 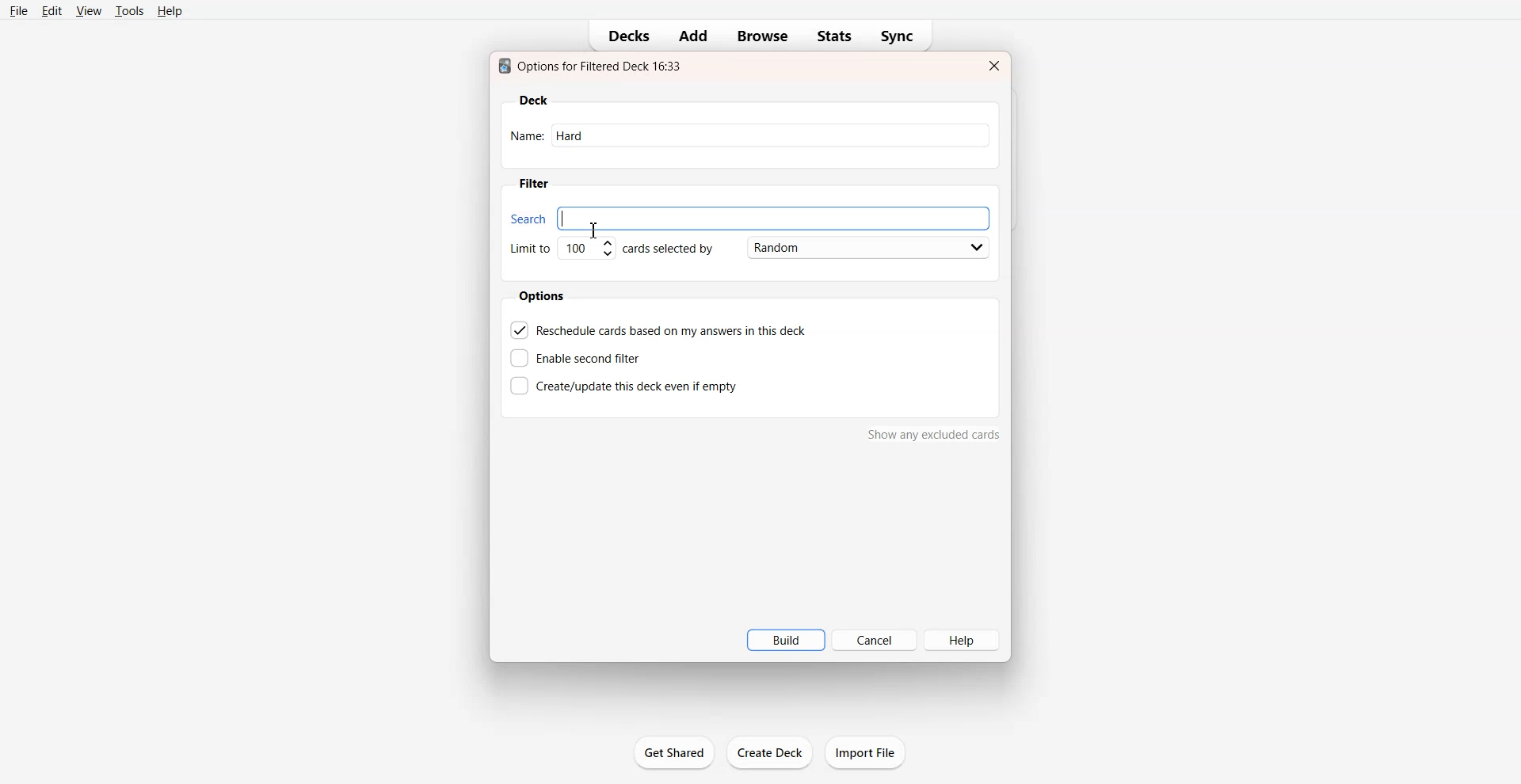 I want to click on create deck, so click(x=774, y=753).